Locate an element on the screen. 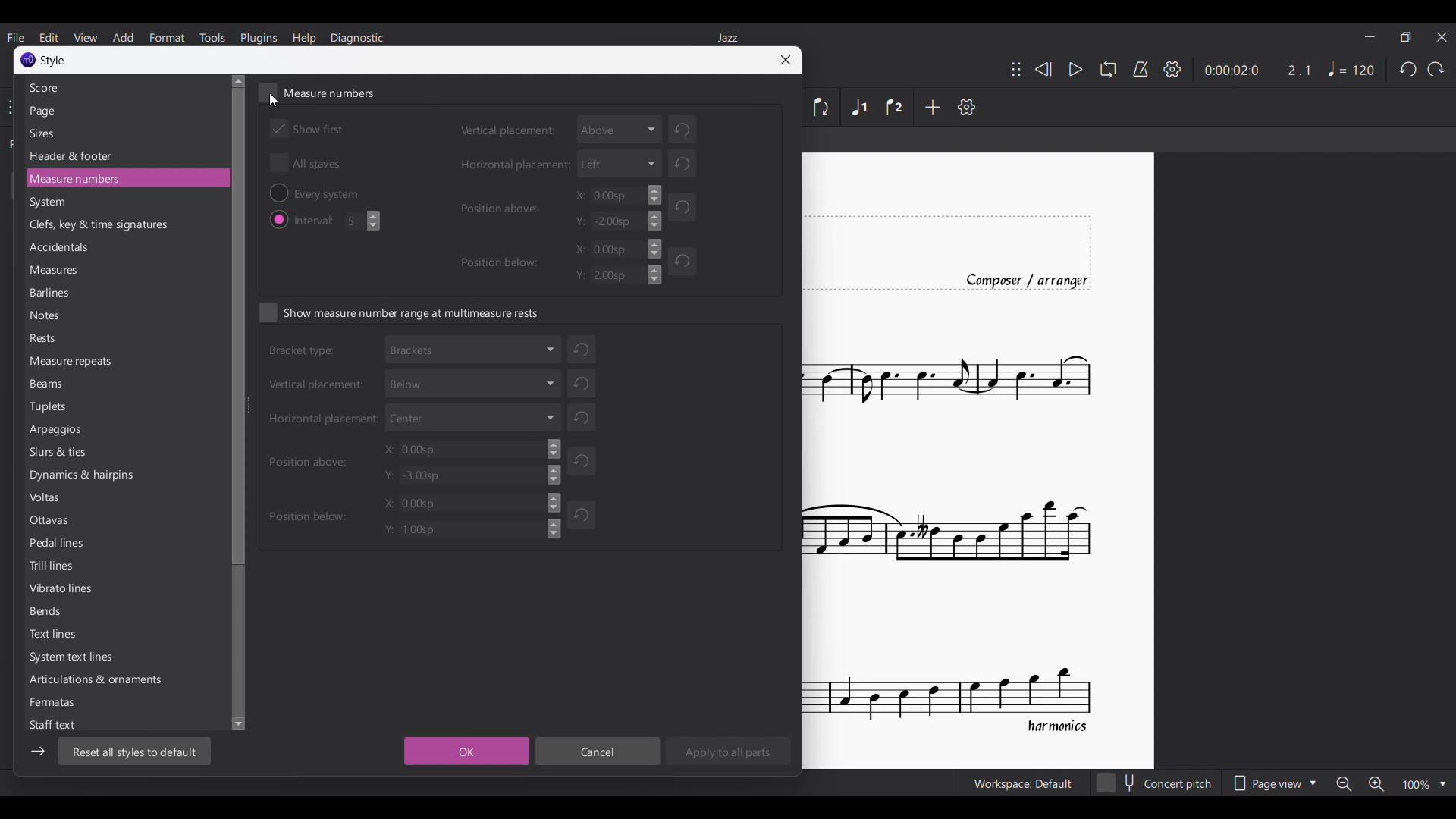 The width and height of the screenshot is (1456, 819). Current workspace setting is located at coordinates (1023, 783).